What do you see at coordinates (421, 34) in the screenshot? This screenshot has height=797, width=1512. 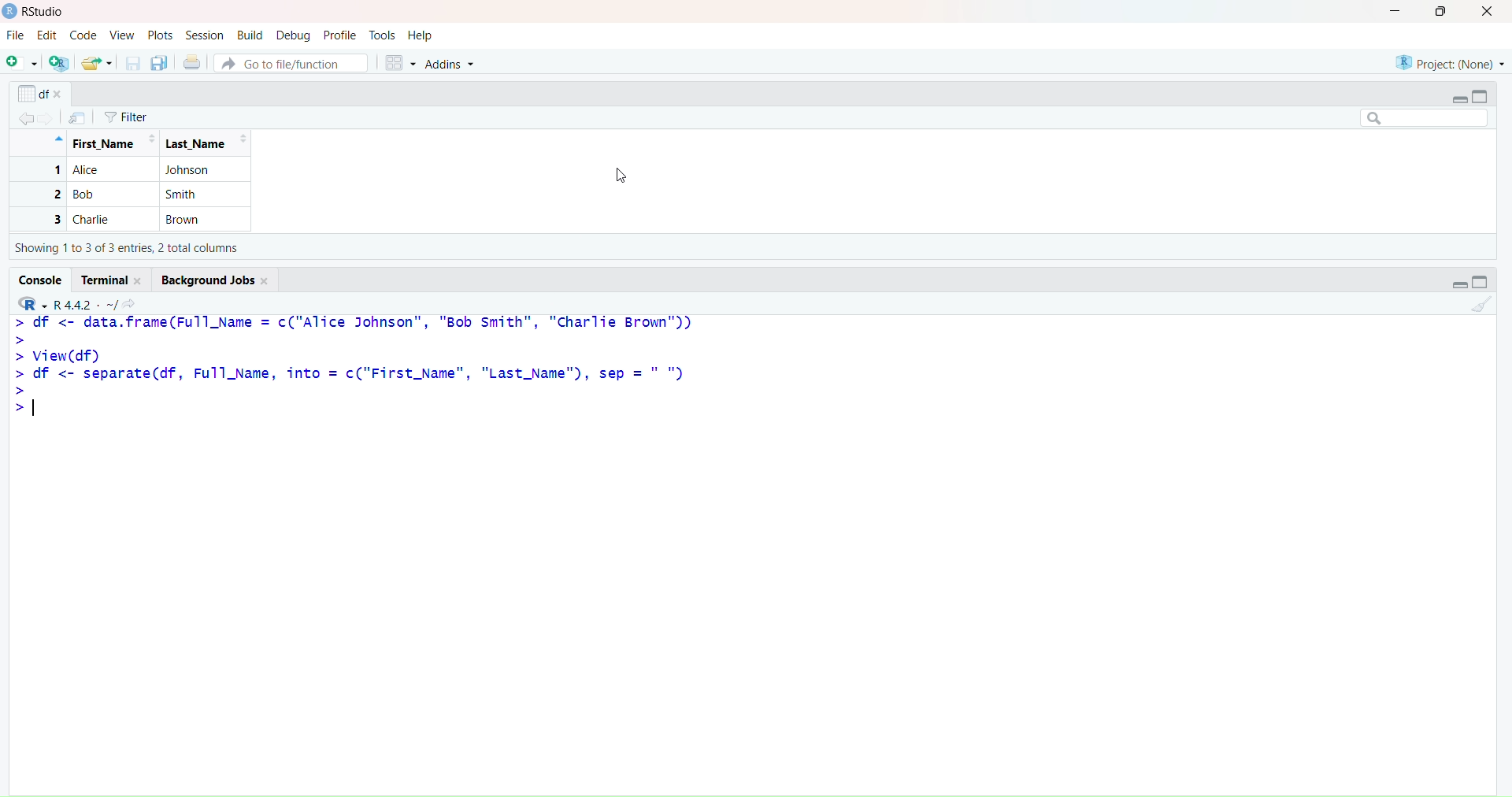 I see `Help` at bounding box center [421, 34].